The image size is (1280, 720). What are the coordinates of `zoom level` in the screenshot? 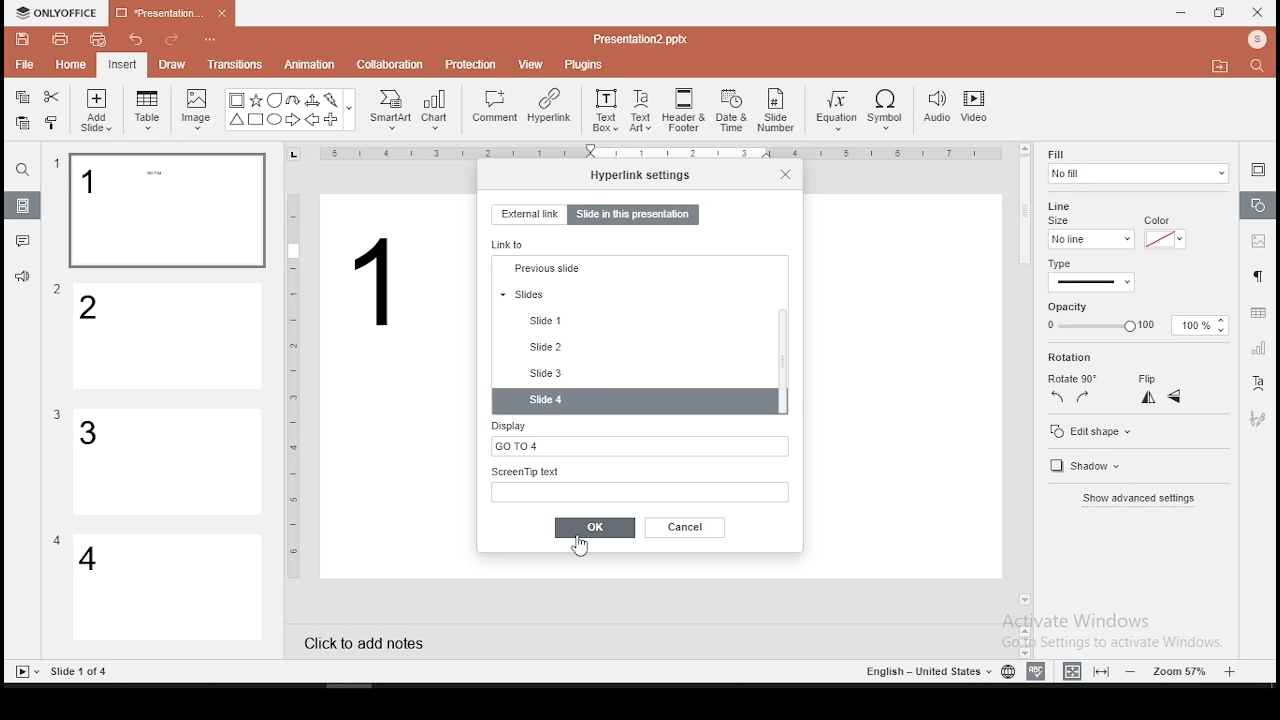 It's located at (1183, 670).